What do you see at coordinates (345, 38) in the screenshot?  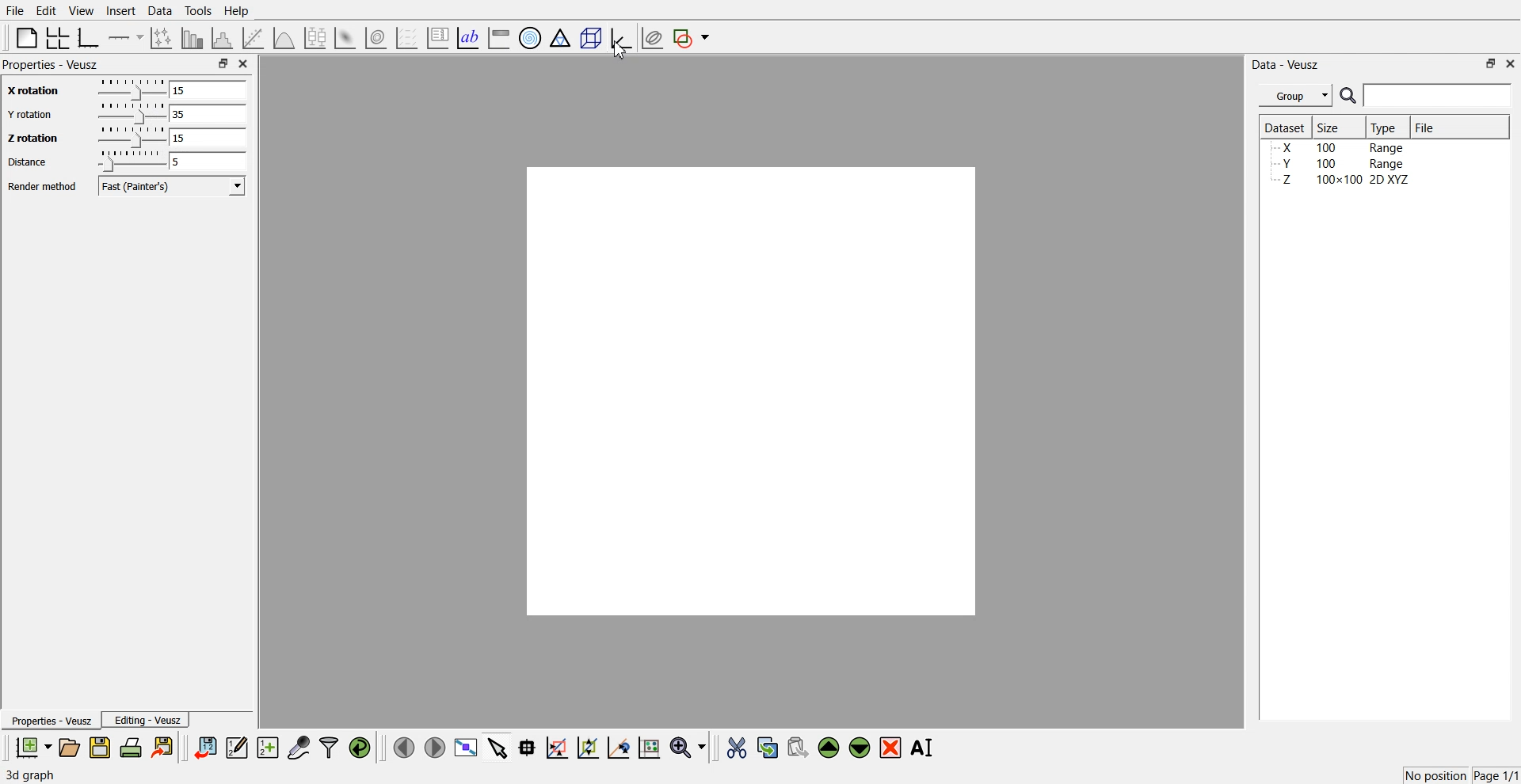 I see `3D Surface` at bounding box center [345, 38].